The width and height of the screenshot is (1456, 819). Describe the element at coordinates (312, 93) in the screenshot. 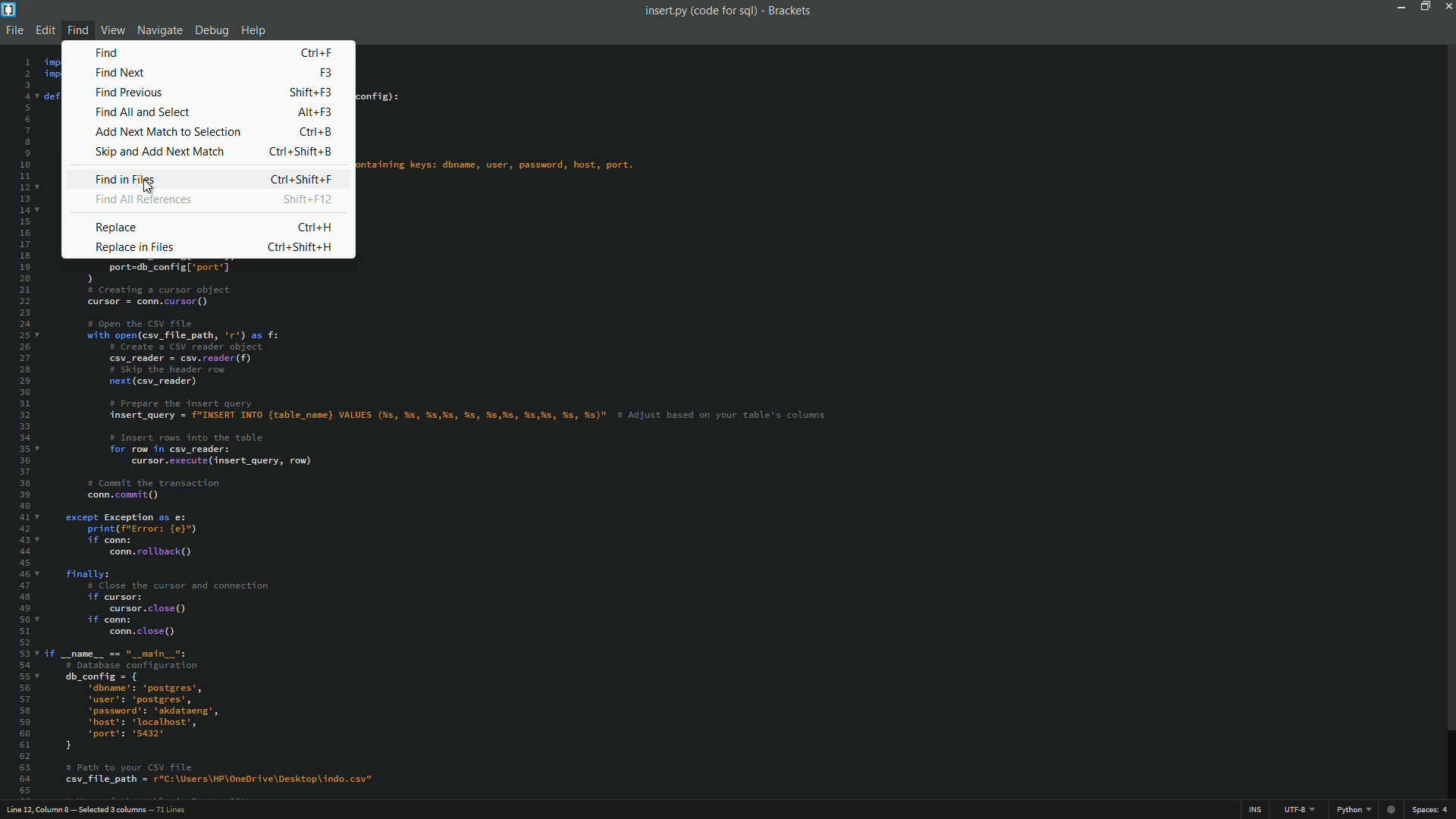

I see `keyboard shortcut` at that location.